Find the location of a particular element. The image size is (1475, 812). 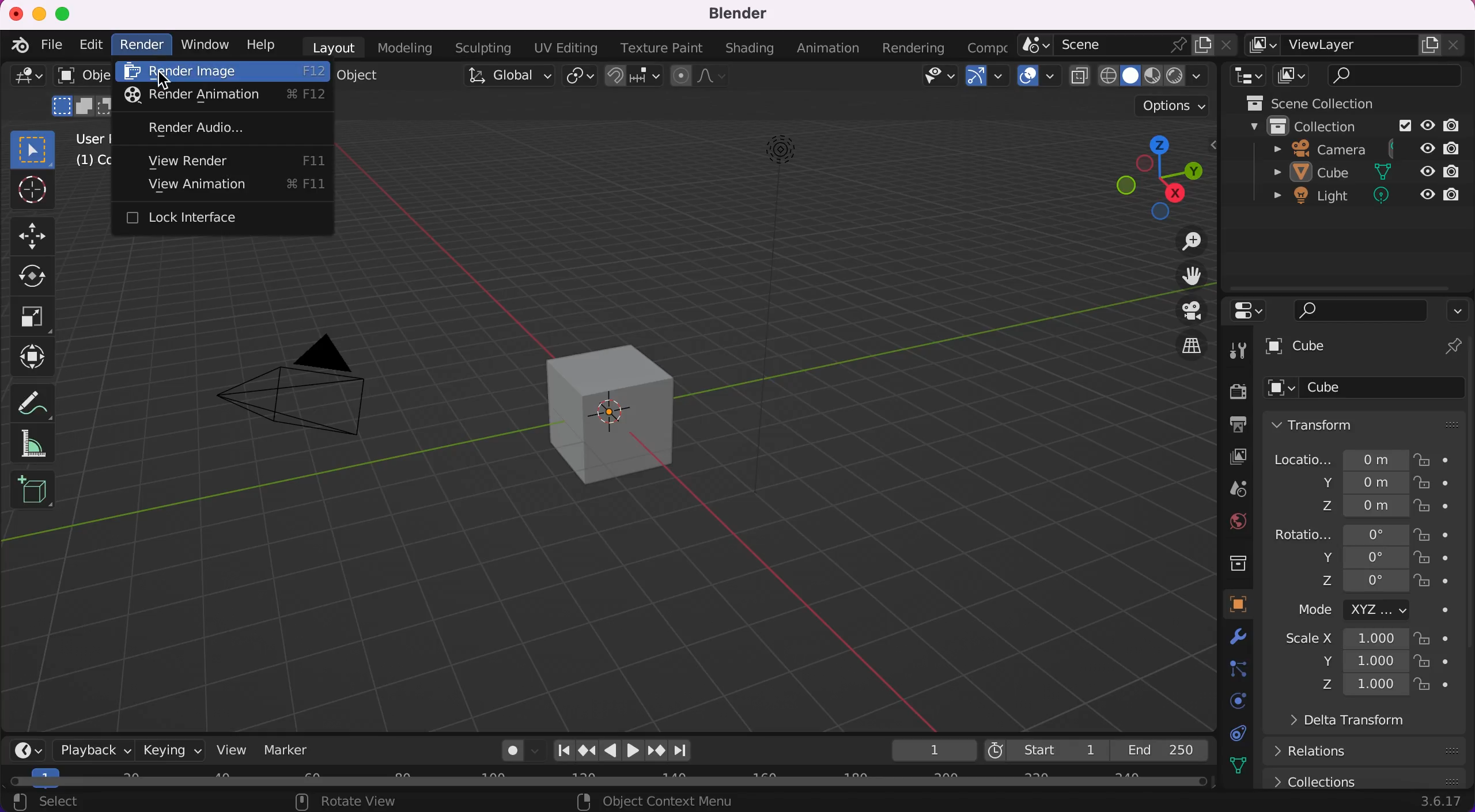

zoom in/out is located at coordinates (1186, 243).